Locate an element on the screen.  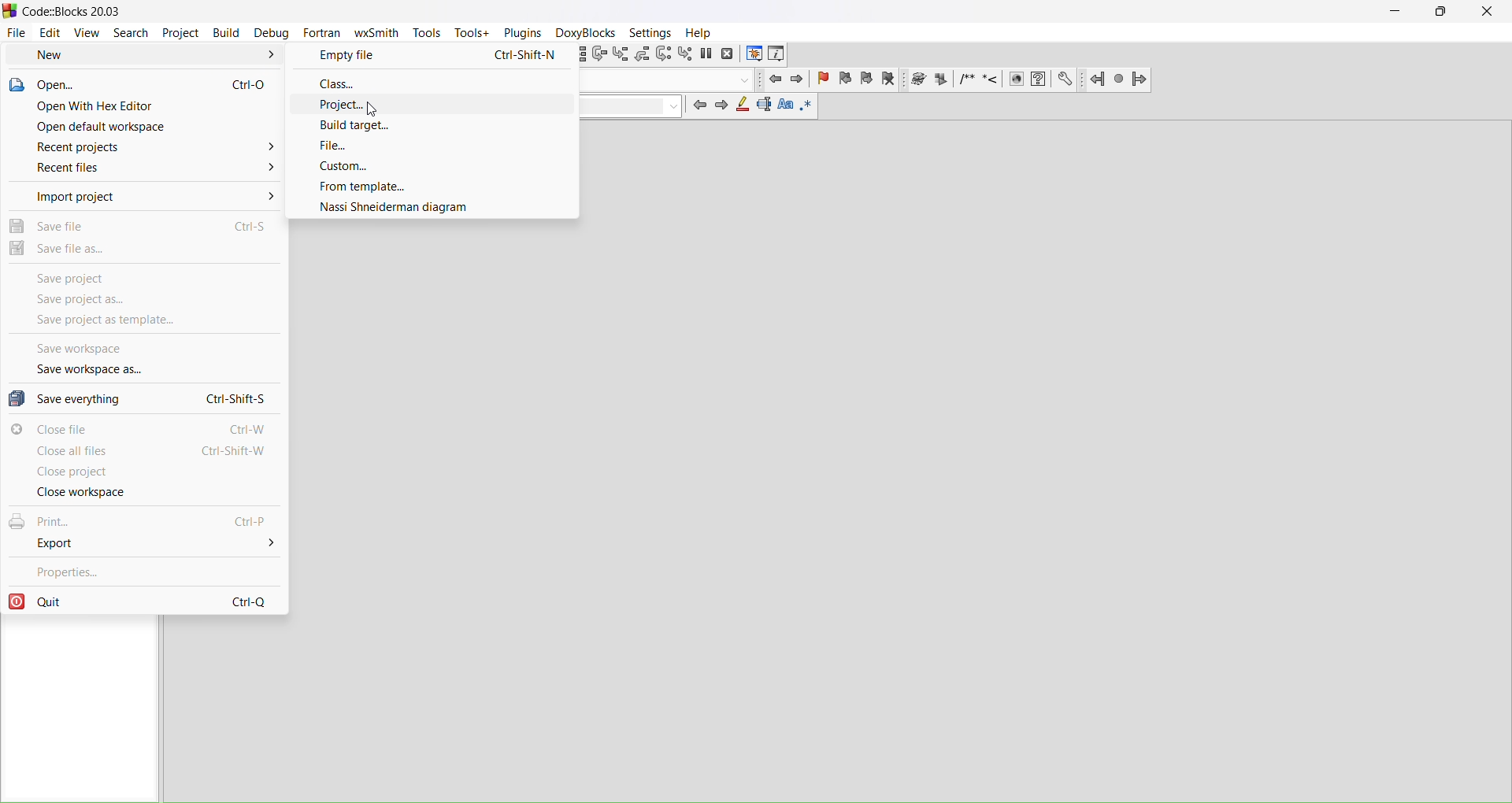
export is located at coordinates (146, 545).